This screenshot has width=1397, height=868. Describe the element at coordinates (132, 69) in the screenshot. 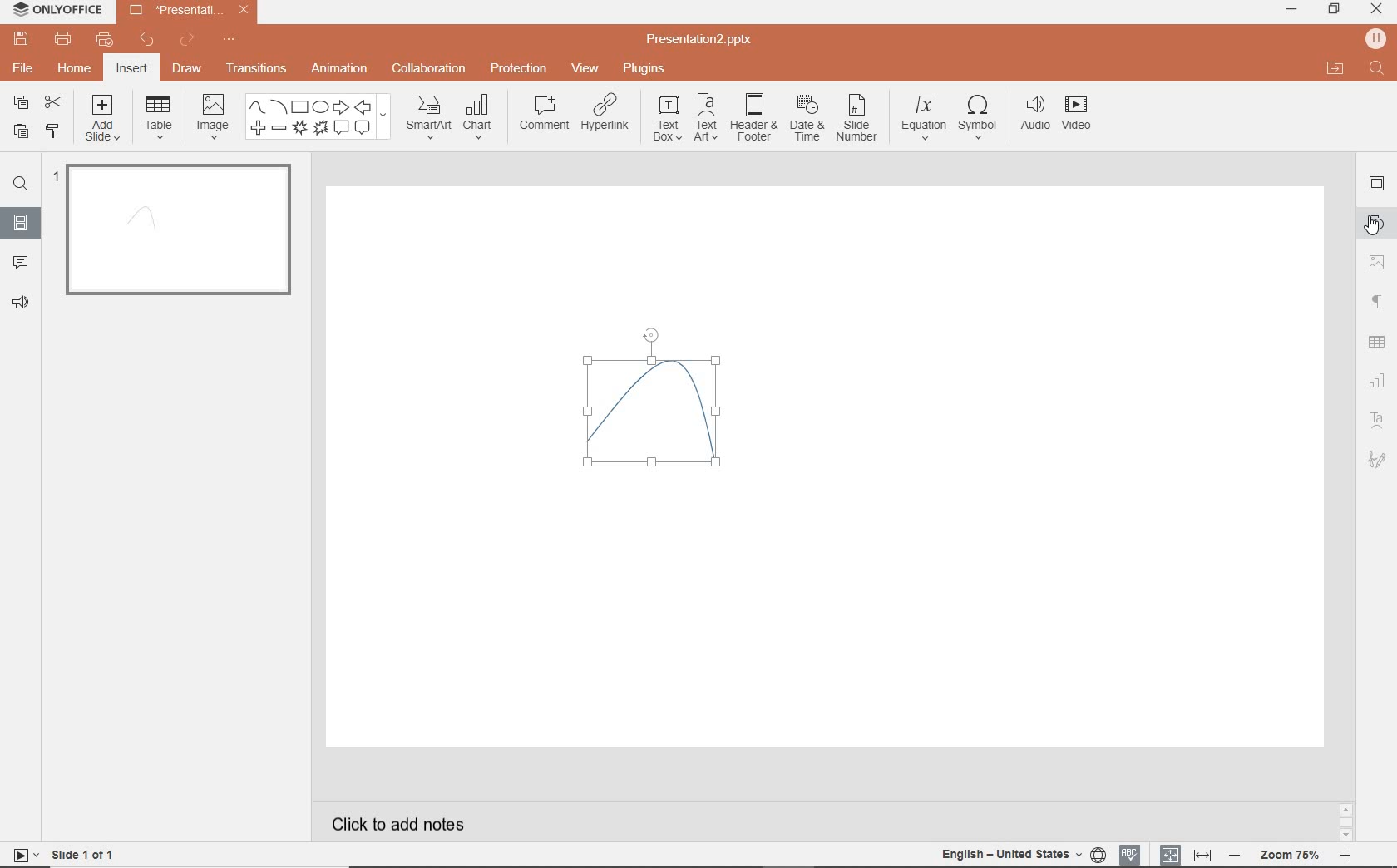

I see `INSERT` at that location.